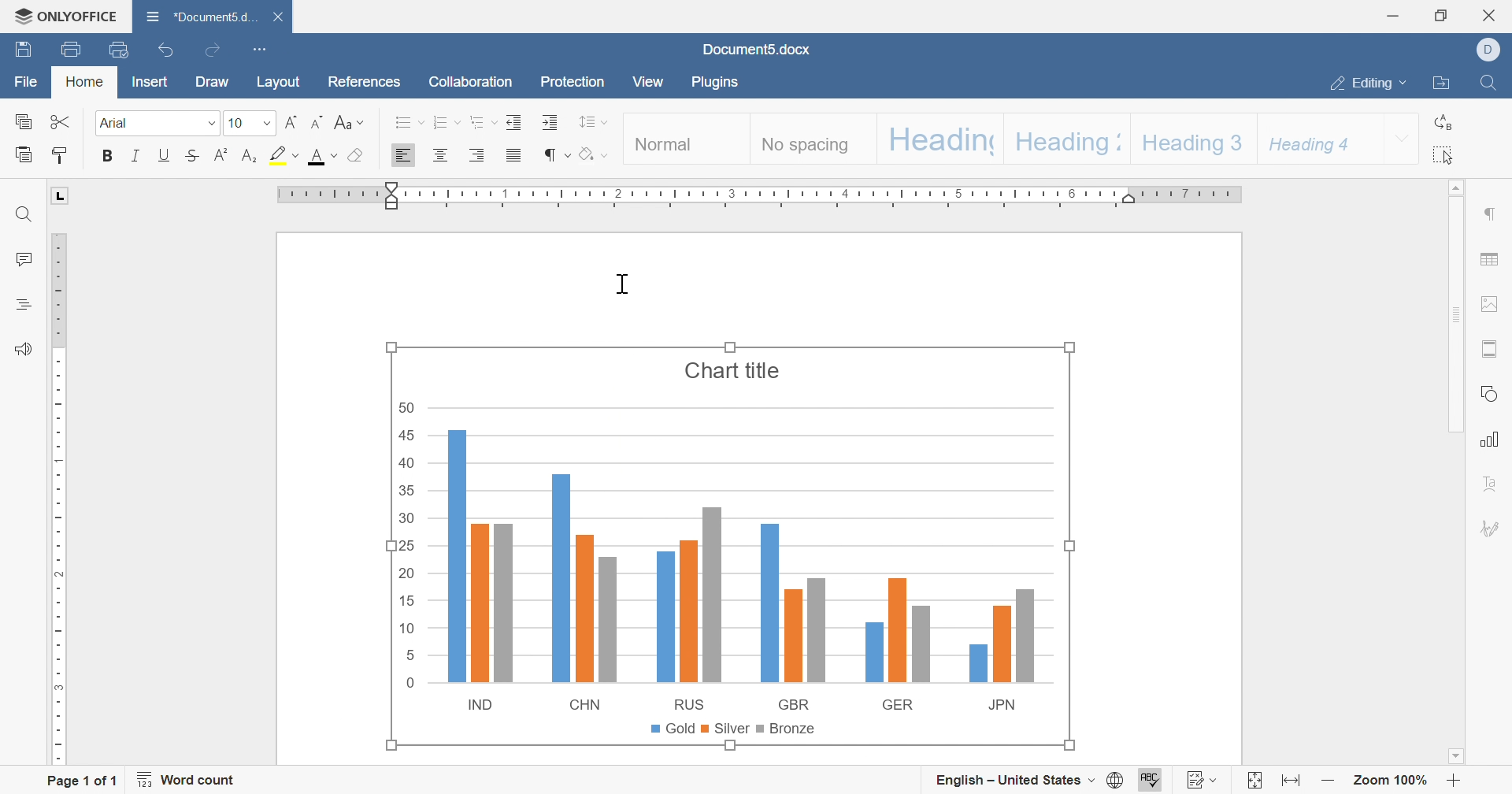 The height and width of the screenshot is (794, 1512). Describe the element at coordinates (1153, 779) in the screenshot. I see `spell checking` at that location.